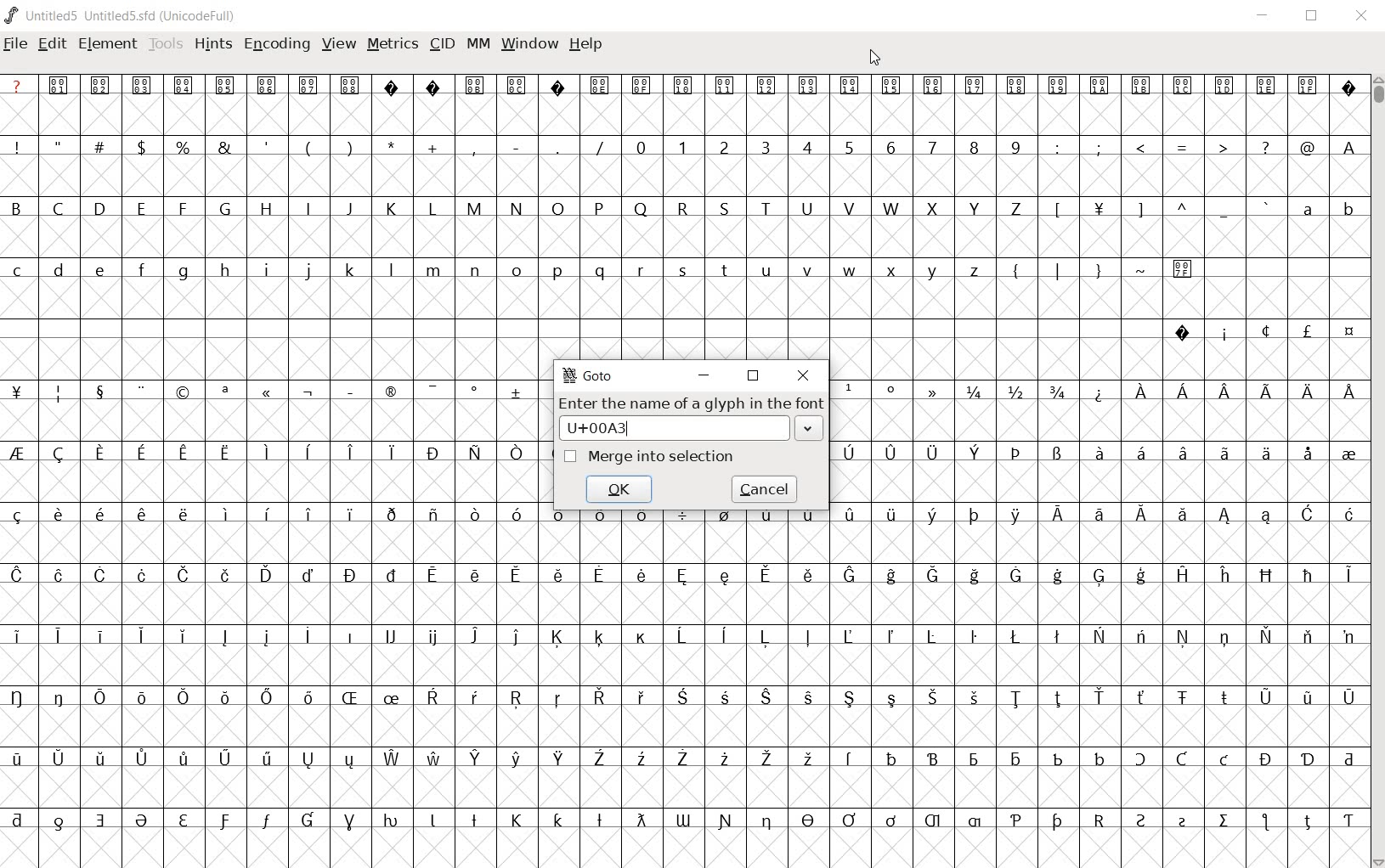 The height and width of the screenshot is (868, 1385). Describe the element at coordinates (476, 635) in the screenshot. I see `Symbol` at that location.